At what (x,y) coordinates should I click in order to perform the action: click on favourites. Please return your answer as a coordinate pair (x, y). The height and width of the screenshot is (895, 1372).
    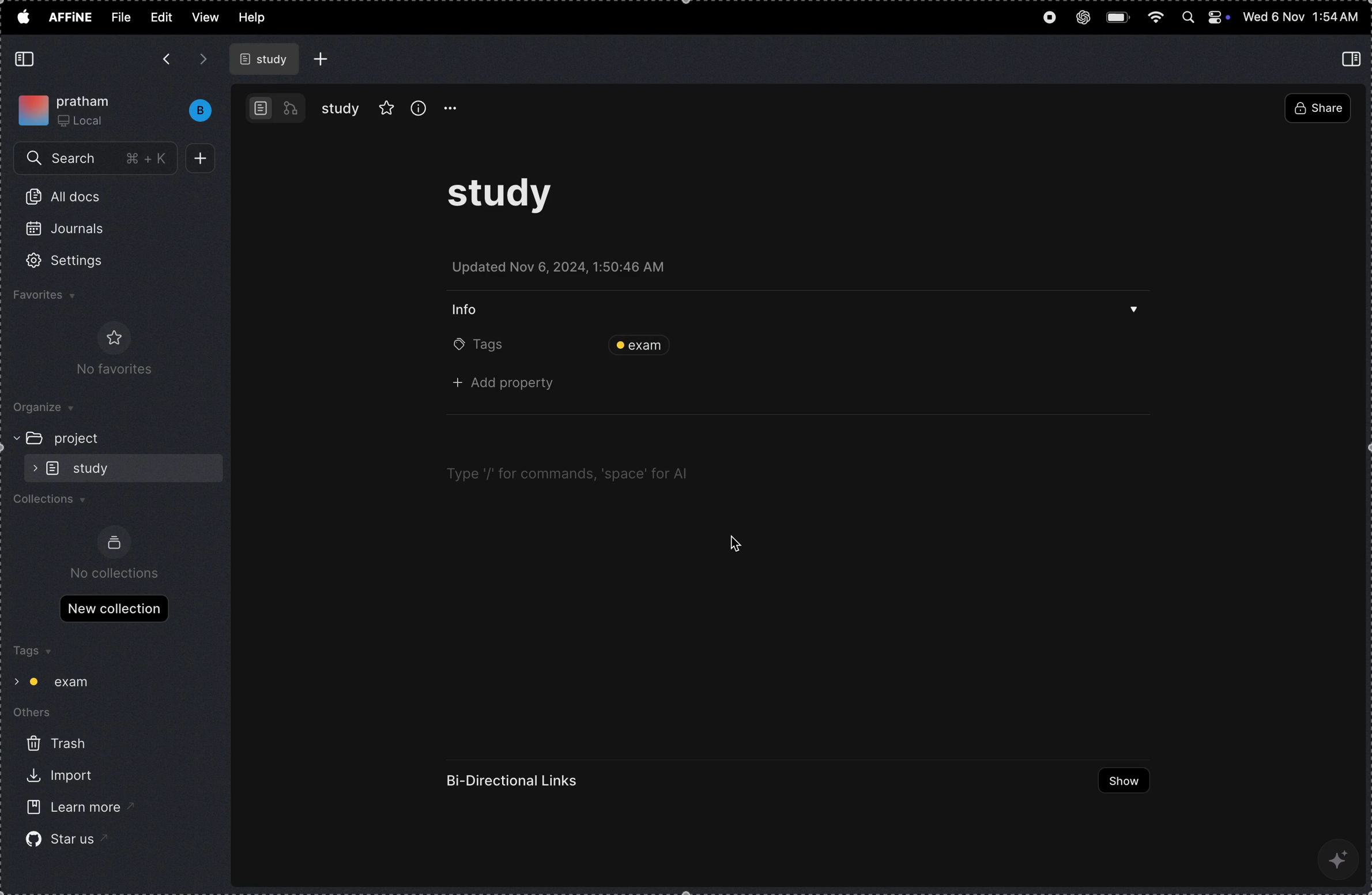
    Looking at the image, I should click on (61, 297).